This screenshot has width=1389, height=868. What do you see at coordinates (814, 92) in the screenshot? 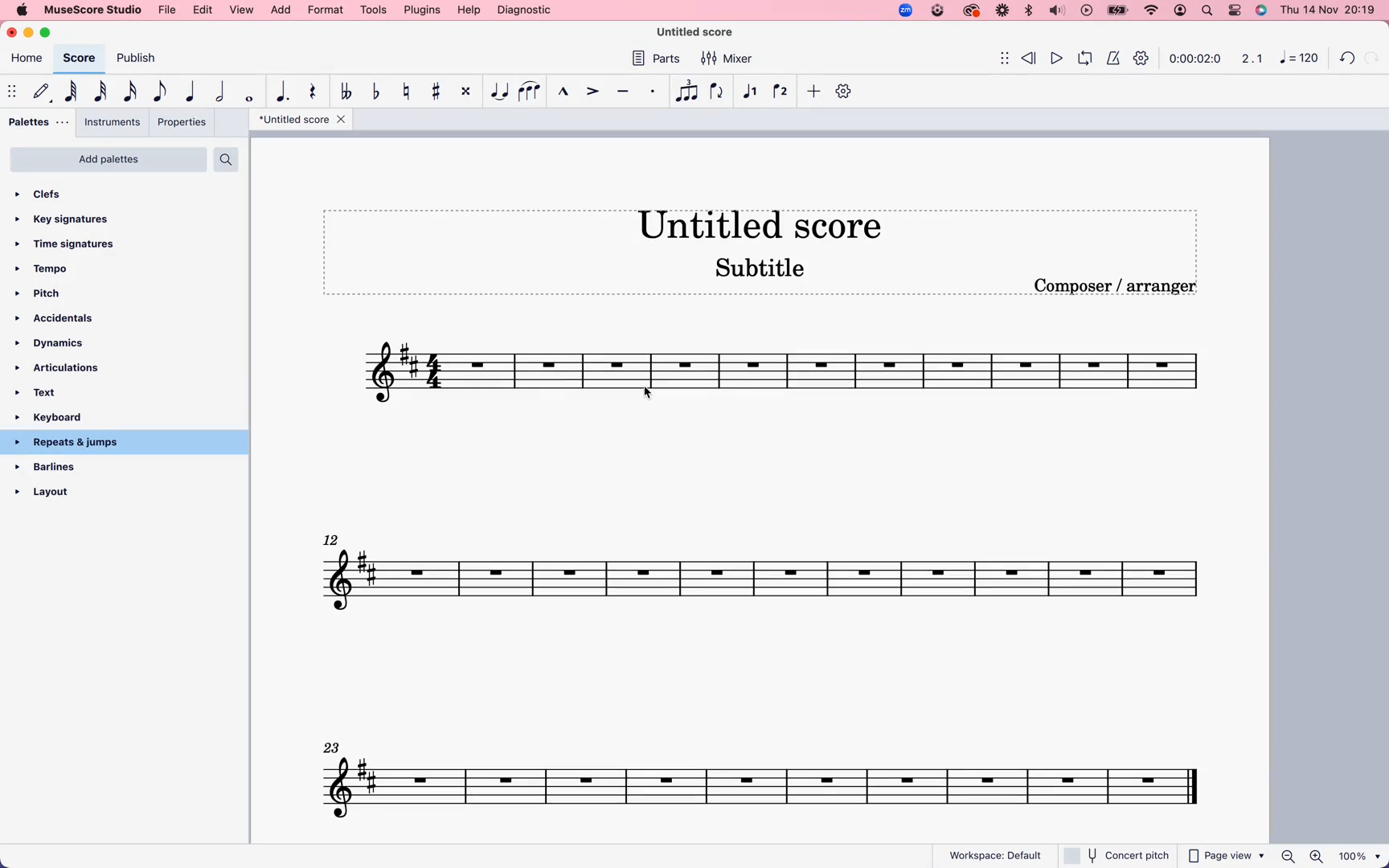
I see `more` at bounding box center [814, 92].